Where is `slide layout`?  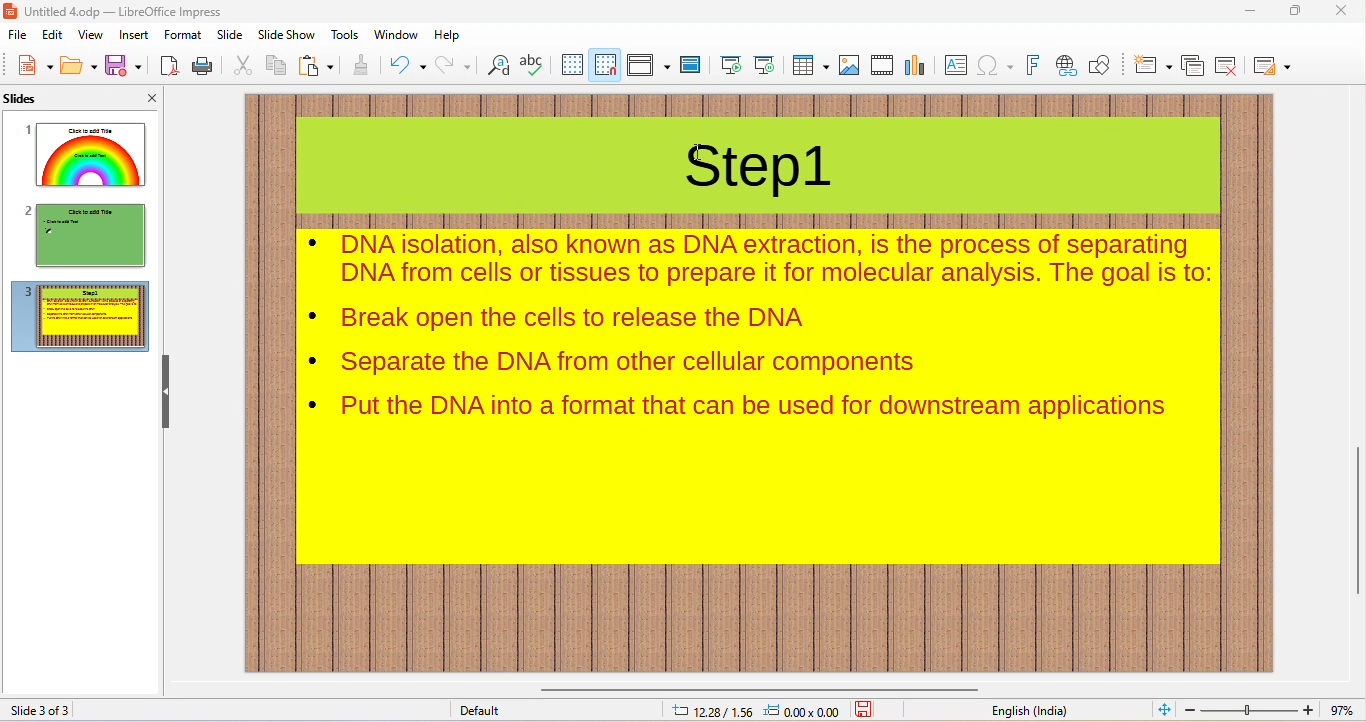
slide layout is located at coordinates (1272, 66).